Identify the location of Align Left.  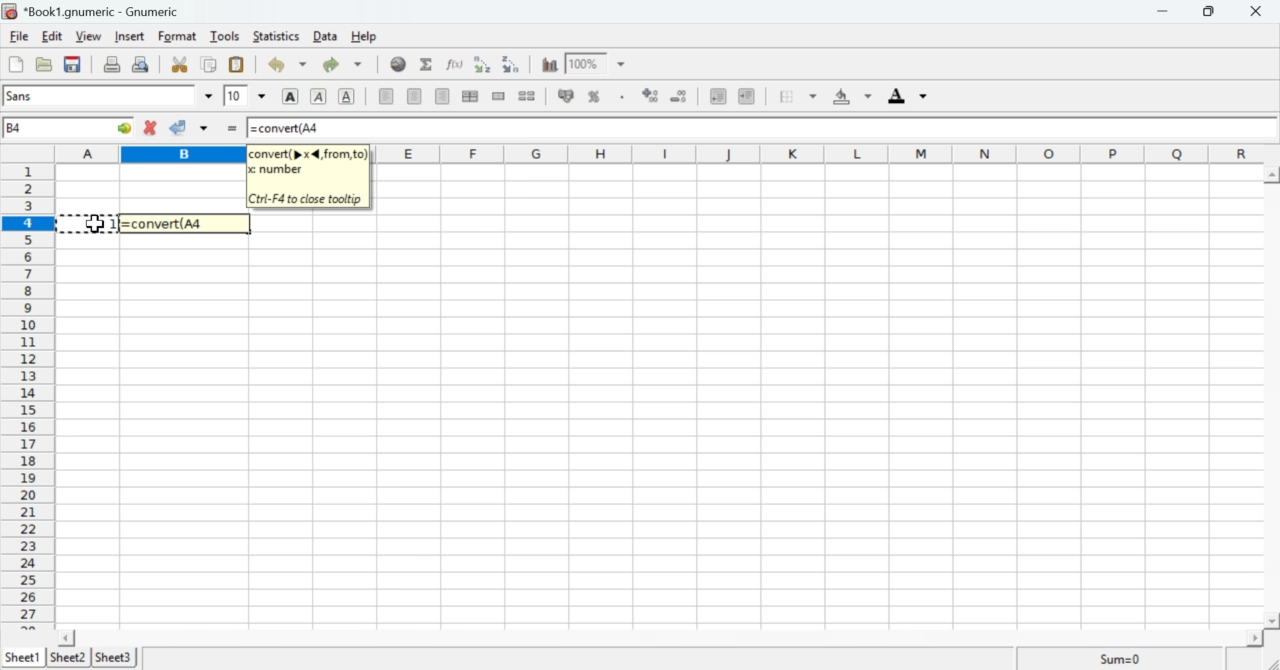
(386, 97).